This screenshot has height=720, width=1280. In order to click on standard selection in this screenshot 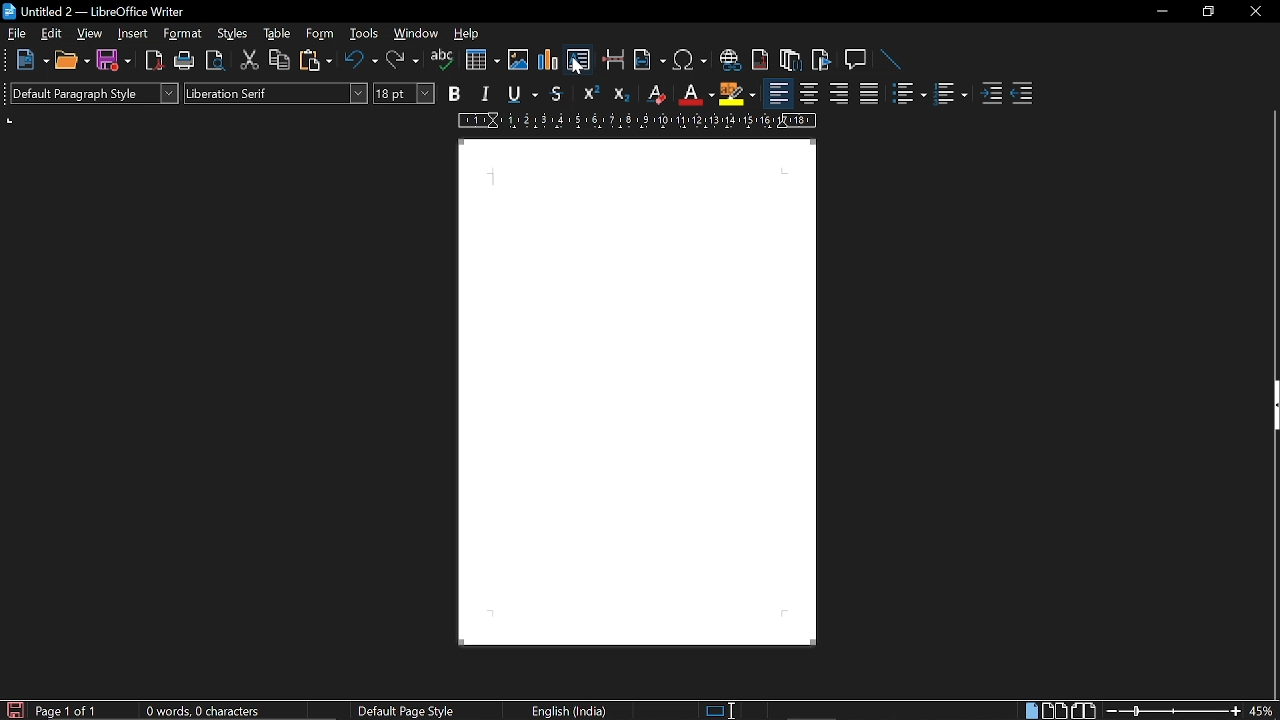, I will do `click(722, 710)`.